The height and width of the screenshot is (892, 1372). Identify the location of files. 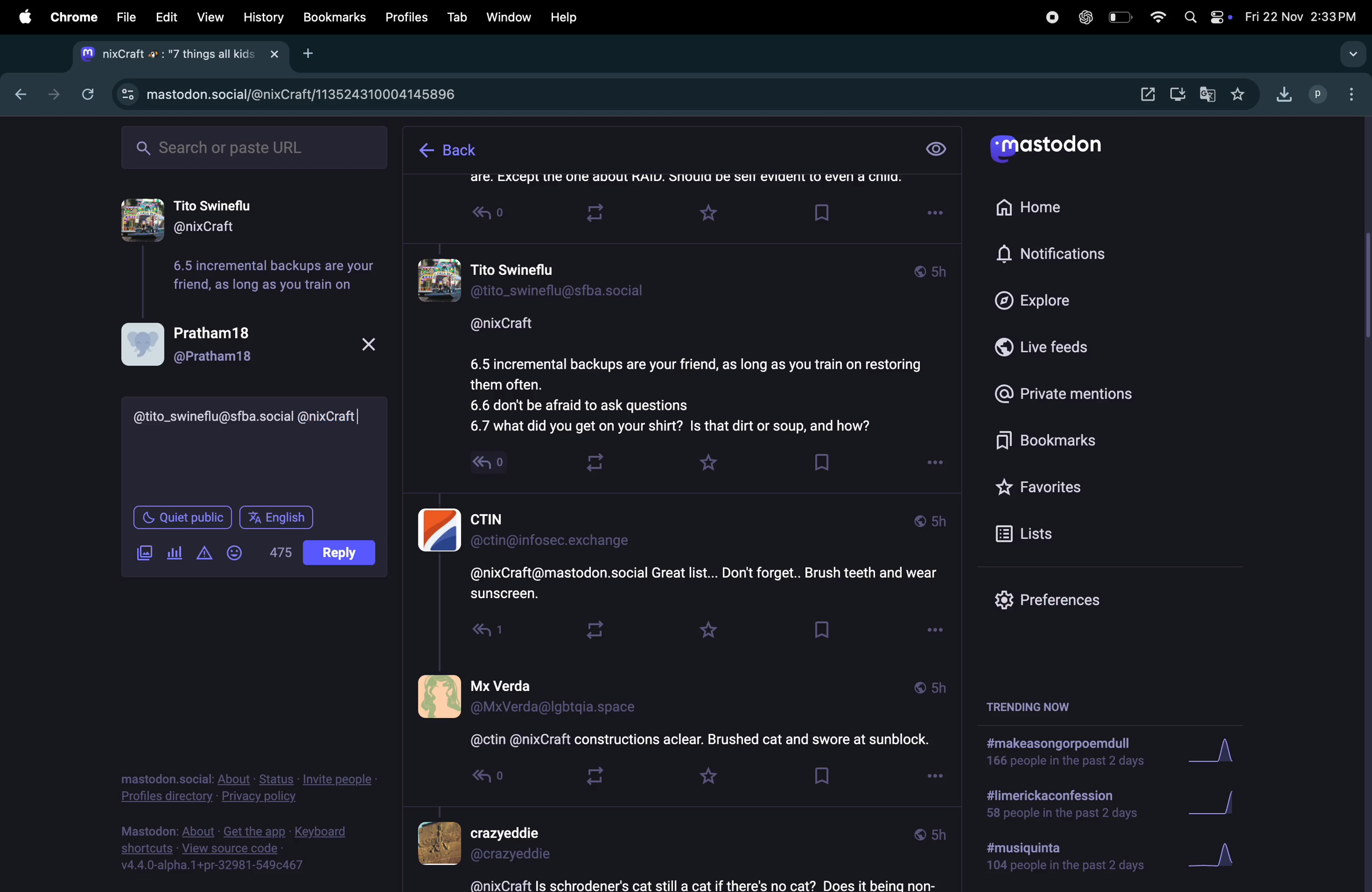
(125, 14).